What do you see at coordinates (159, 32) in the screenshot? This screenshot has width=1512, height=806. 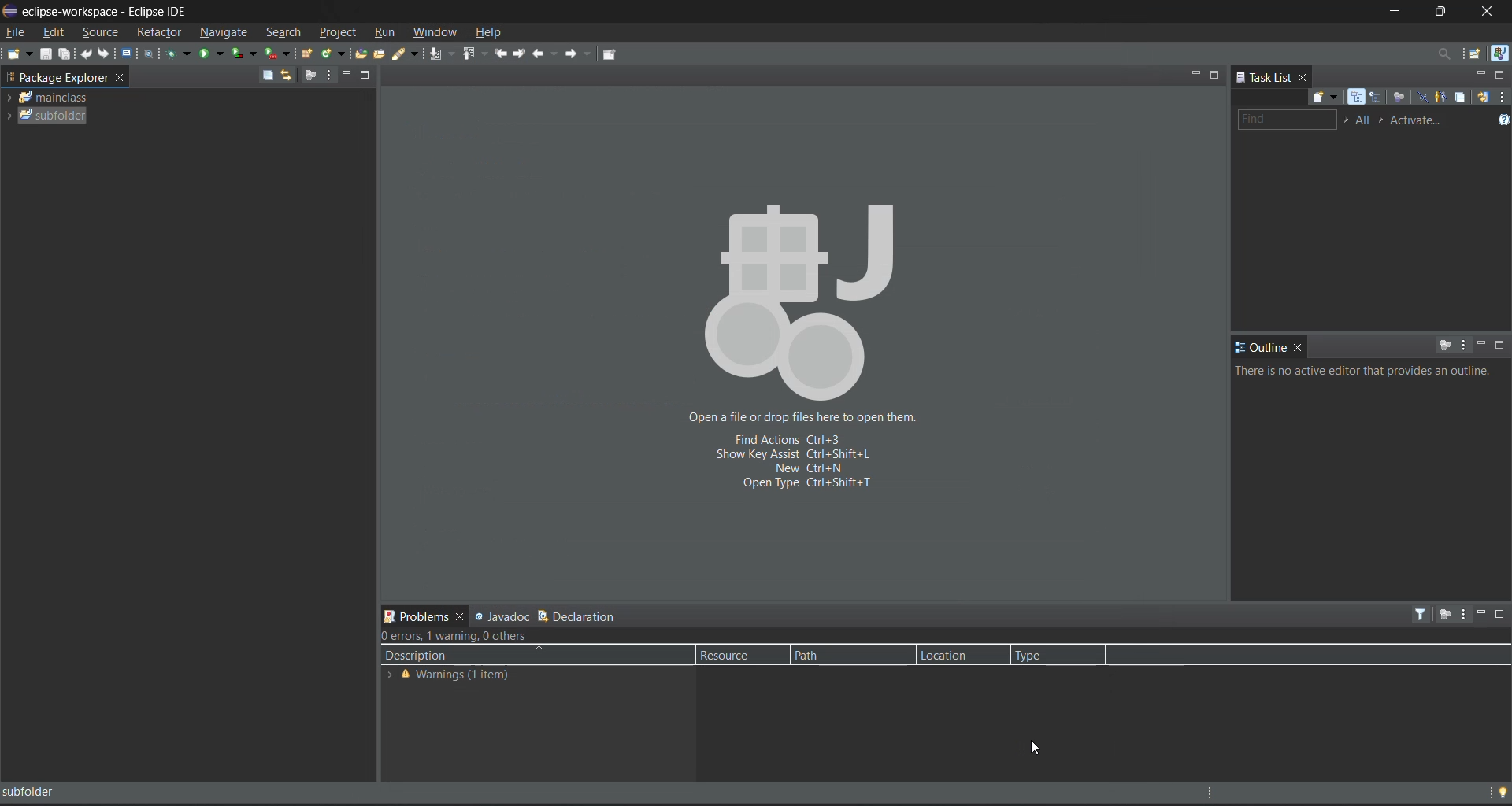 I see `refractor` at bounding box center [159, 32].